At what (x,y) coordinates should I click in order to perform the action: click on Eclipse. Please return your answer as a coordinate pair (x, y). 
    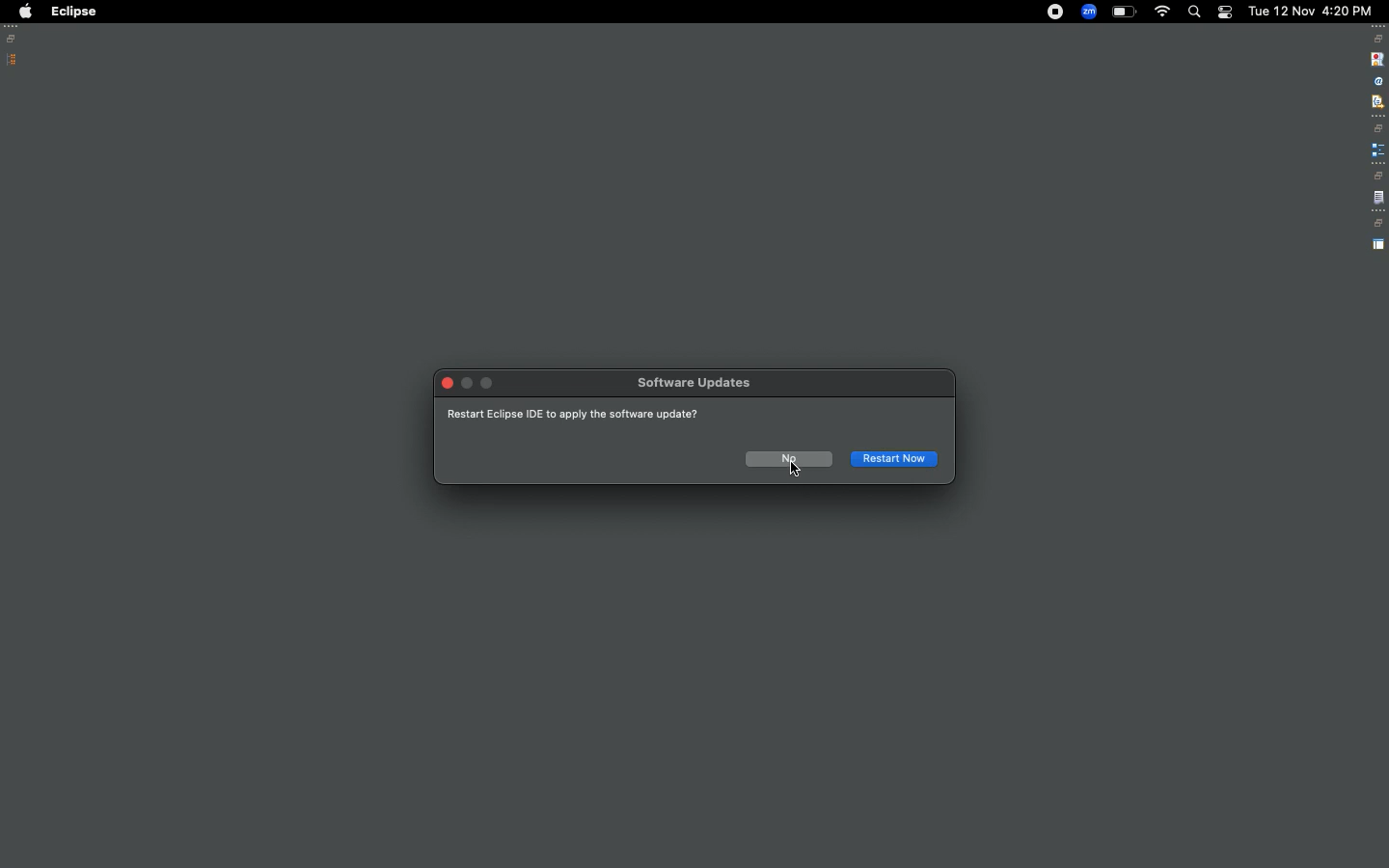
    Looking at the image, I should click on (73, 12).